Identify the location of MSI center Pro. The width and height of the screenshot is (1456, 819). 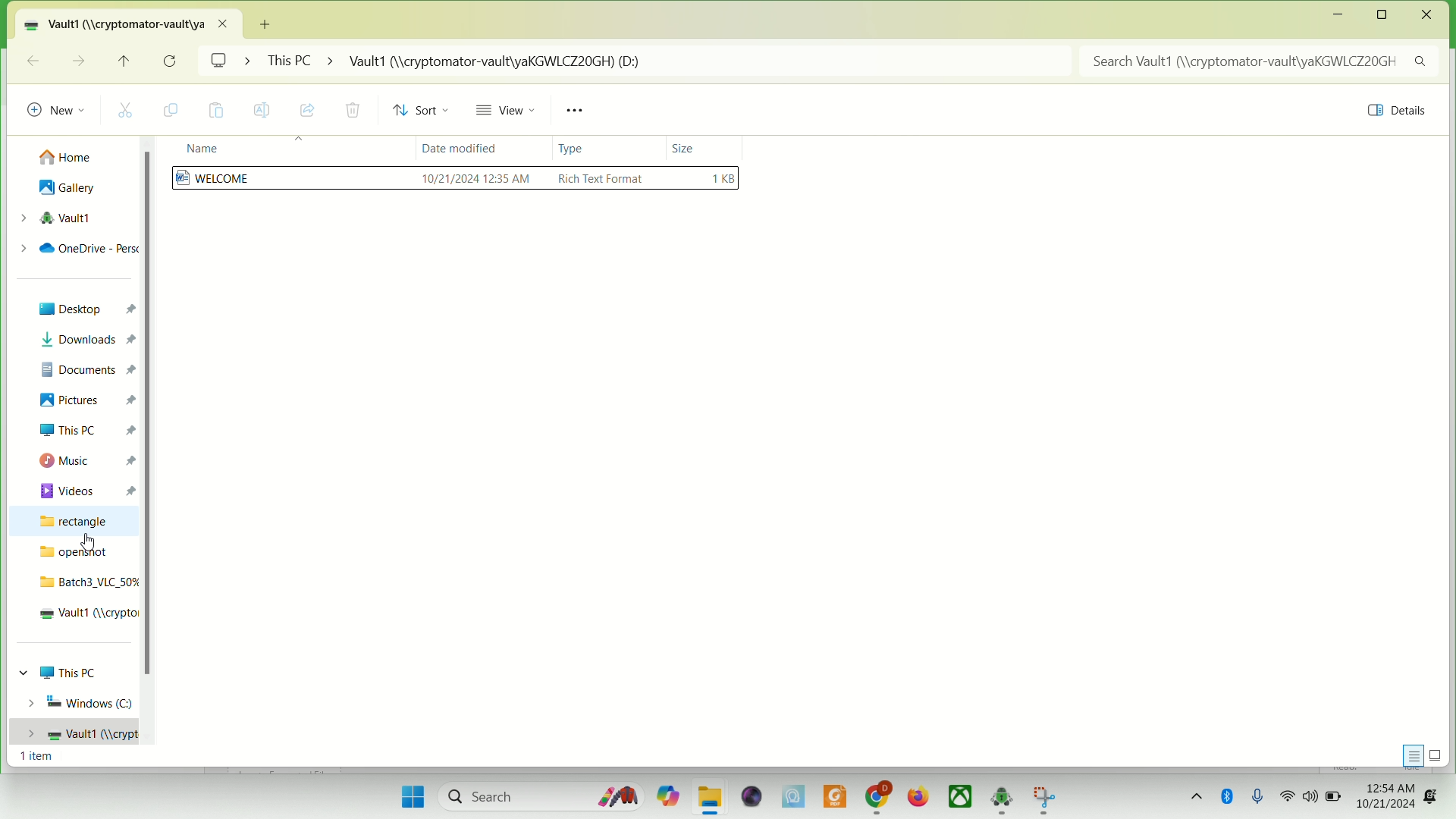
(792, 796).